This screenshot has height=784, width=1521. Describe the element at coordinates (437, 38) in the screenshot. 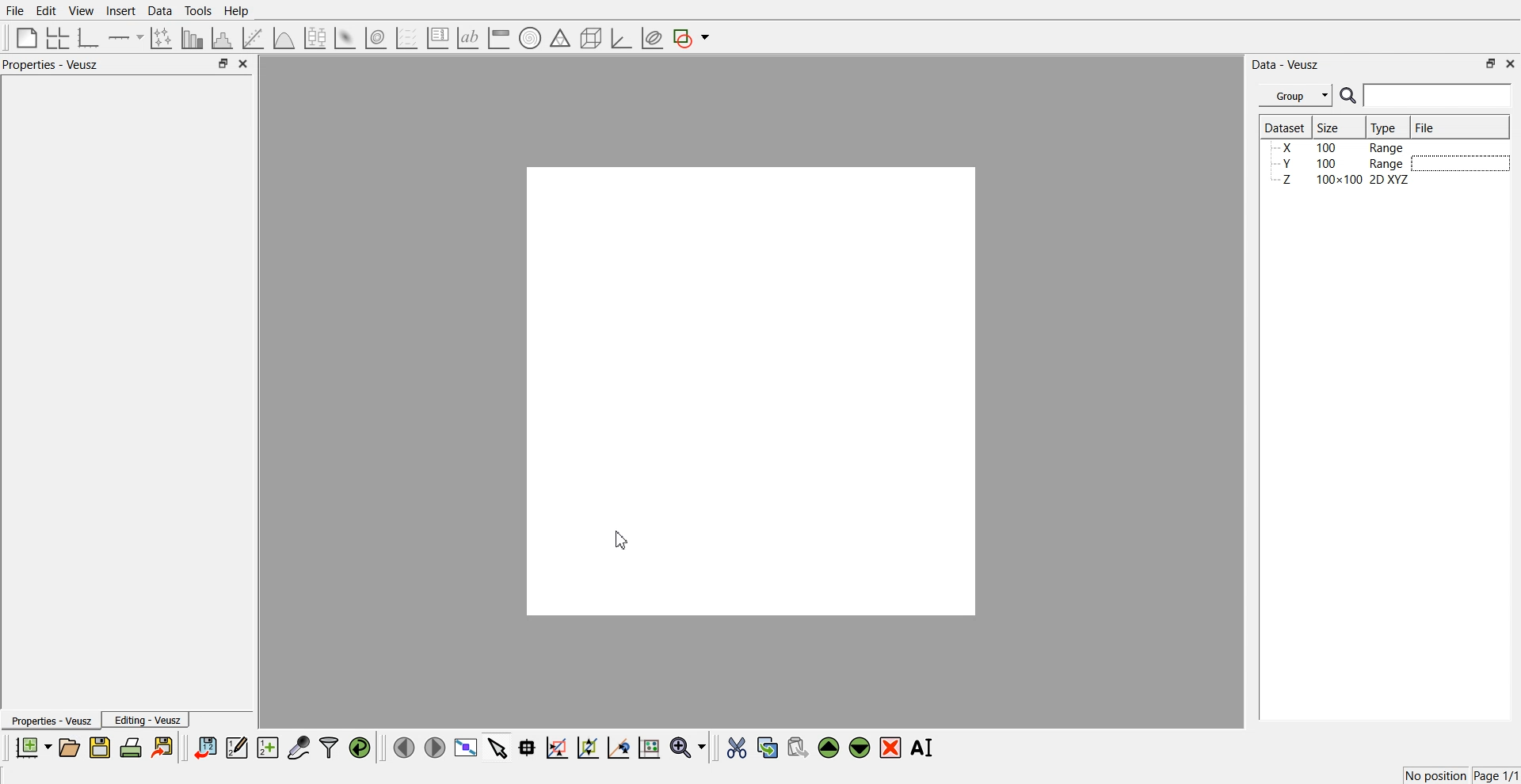

I see `Plot key` at that location.